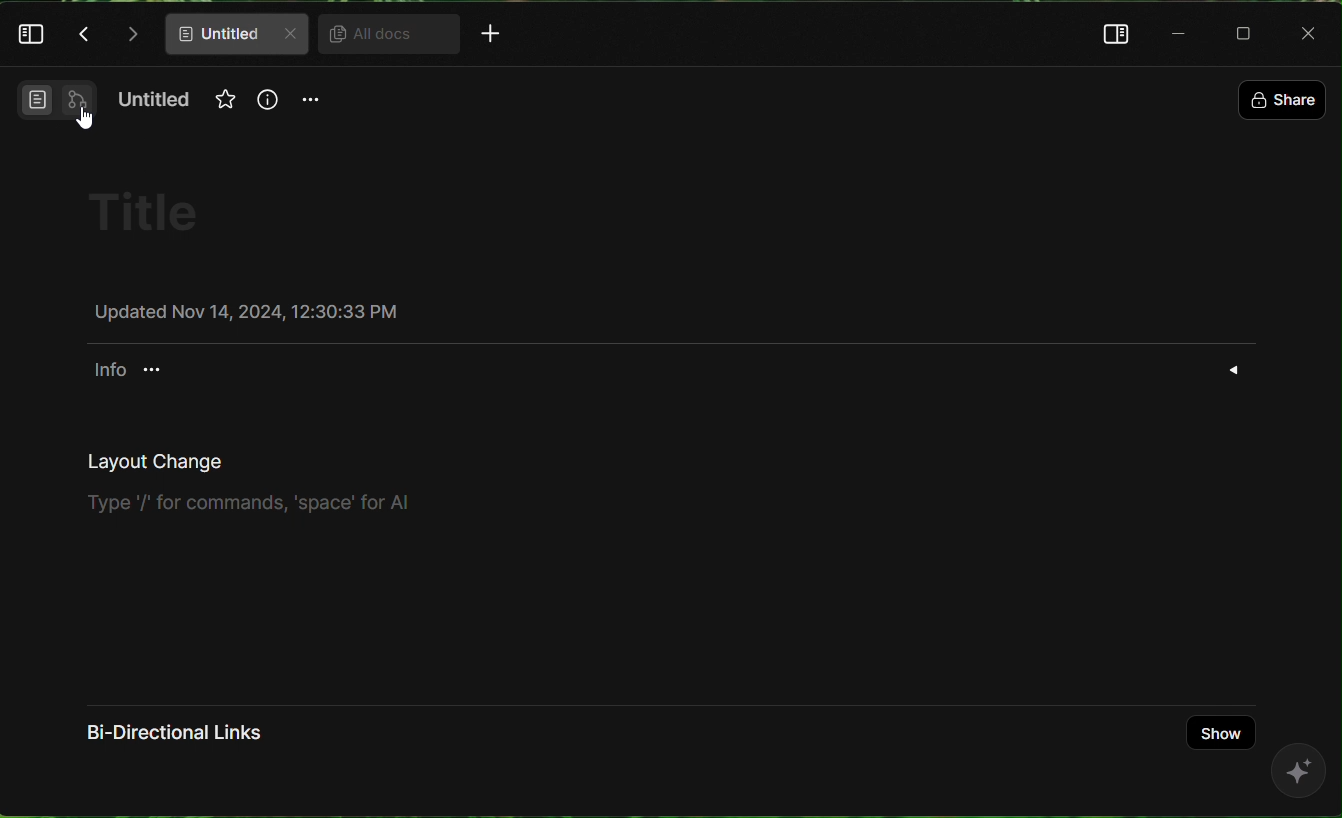 This screenshot has height=818, width=1342. I want to click on title, so click(163, 213).